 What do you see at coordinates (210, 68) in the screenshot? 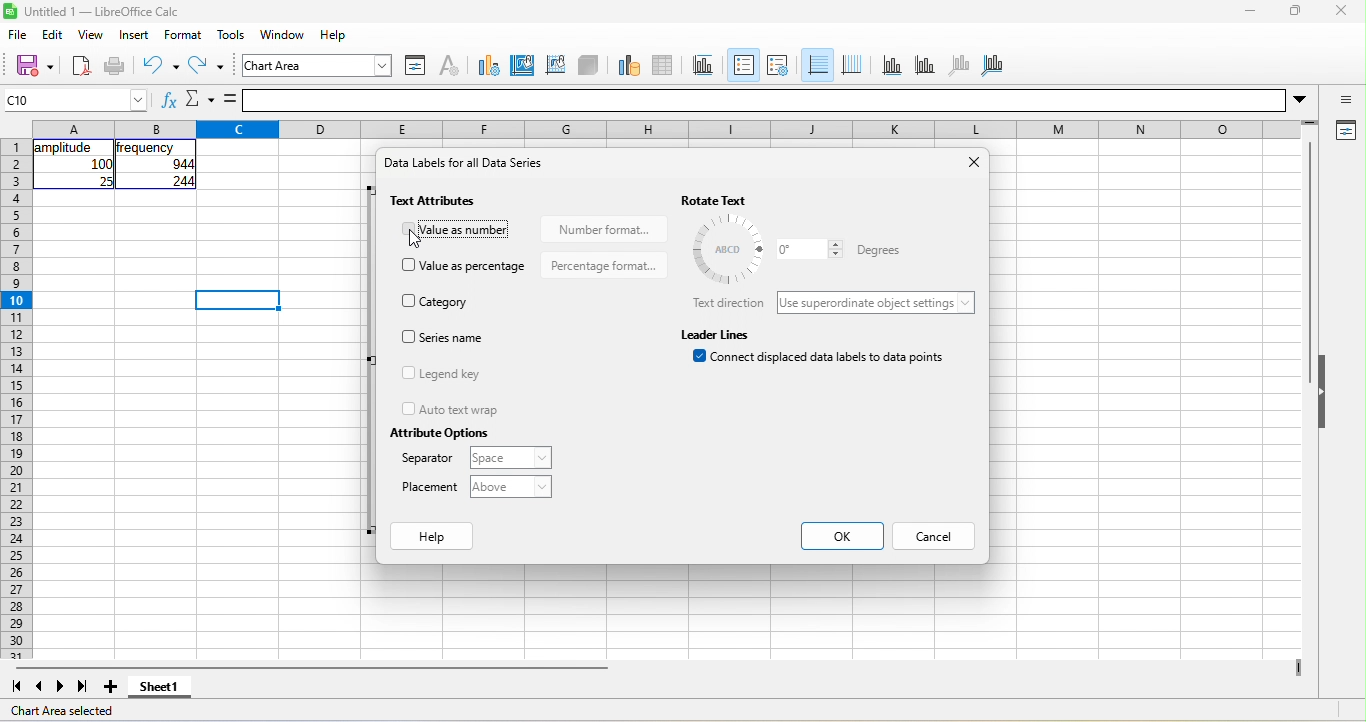
I see `redo` at bounding box center [210, 68].